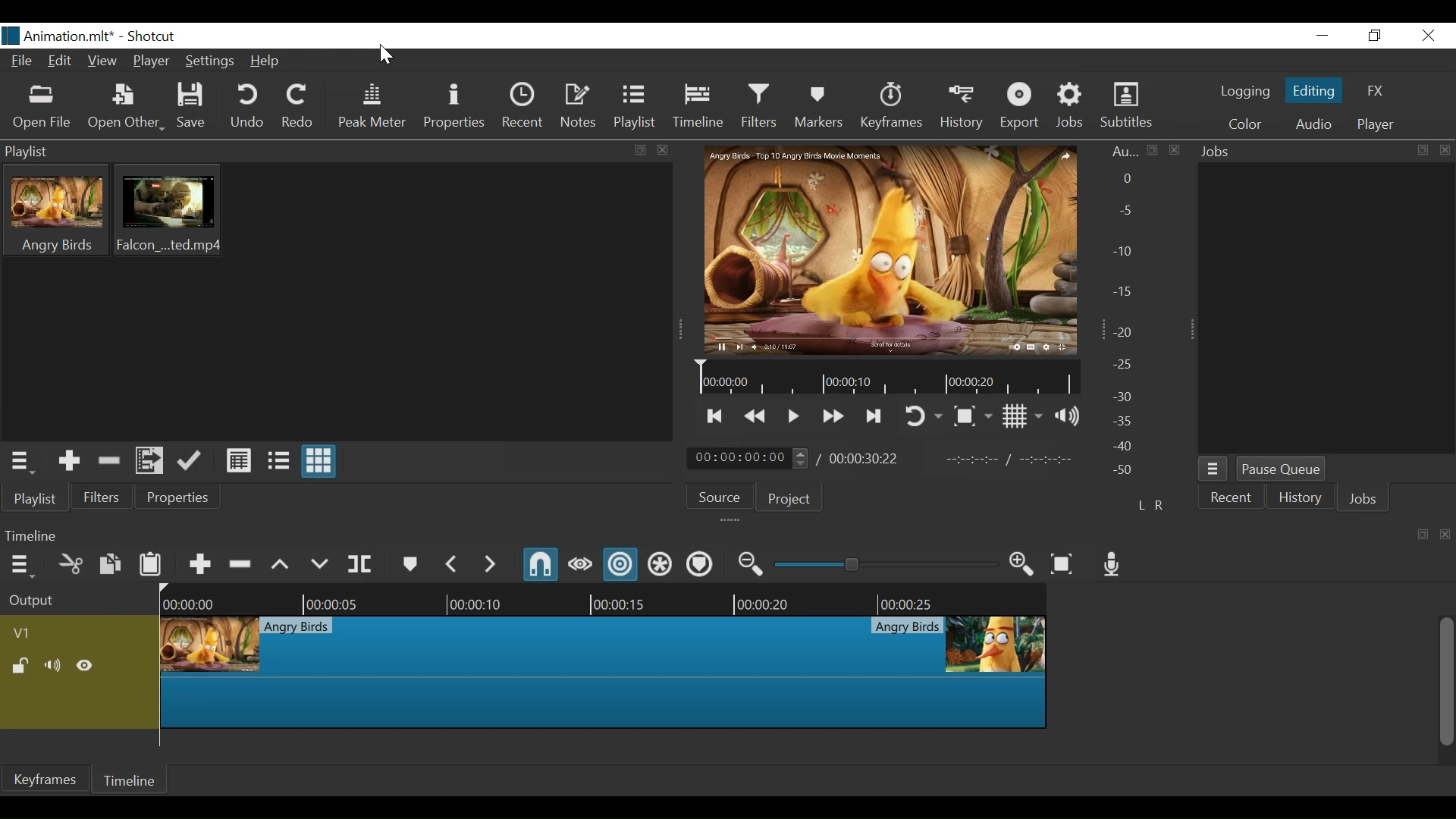 The height and width of the screenshot is (819, 1456). What do you see at coordinates (1150, 504) in the screenshot?
I see `L R` at bounding box center [1150, 504].